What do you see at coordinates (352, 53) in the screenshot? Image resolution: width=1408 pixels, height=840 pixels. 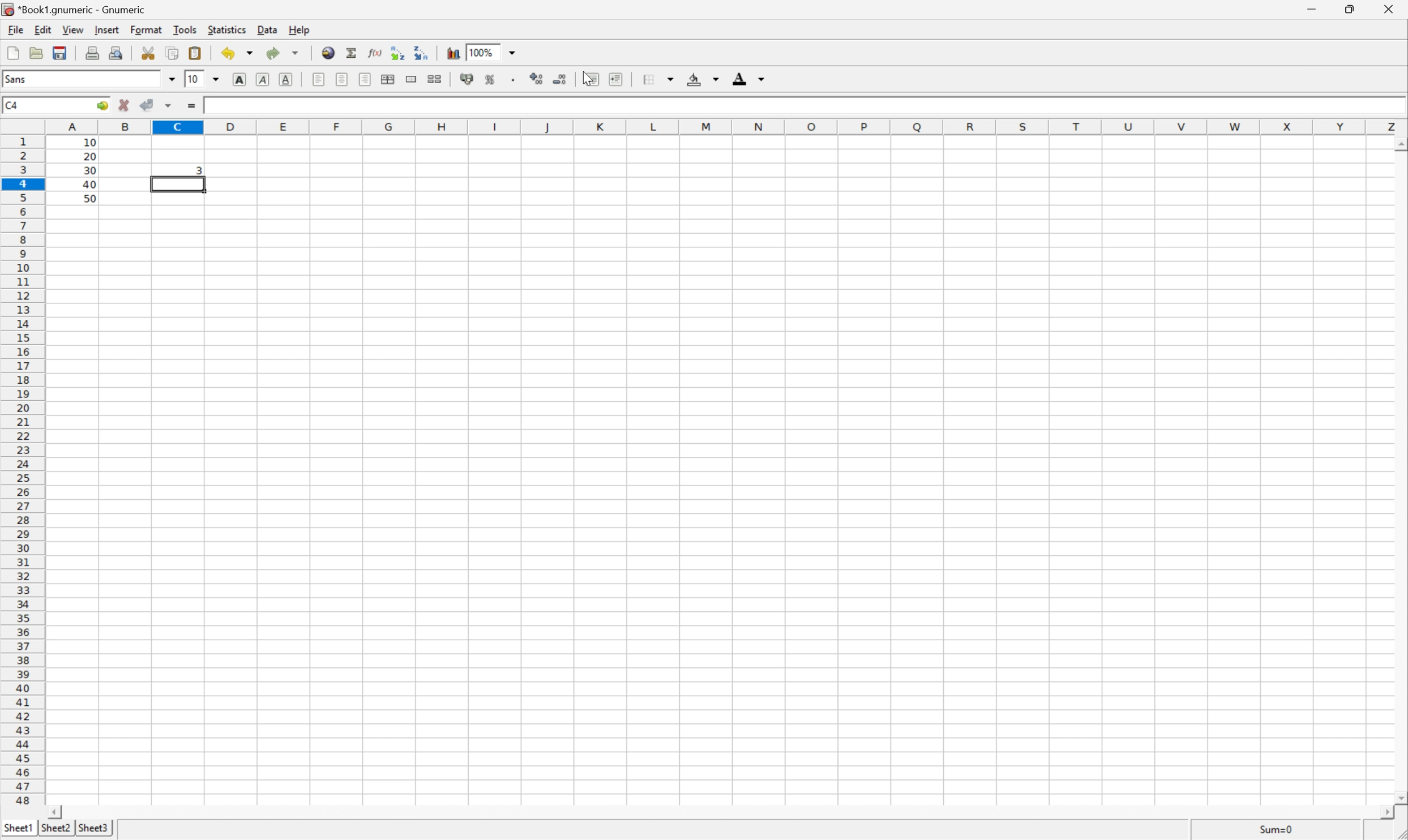 I see `Sum into the current cell` at bounding box center [352, 53].